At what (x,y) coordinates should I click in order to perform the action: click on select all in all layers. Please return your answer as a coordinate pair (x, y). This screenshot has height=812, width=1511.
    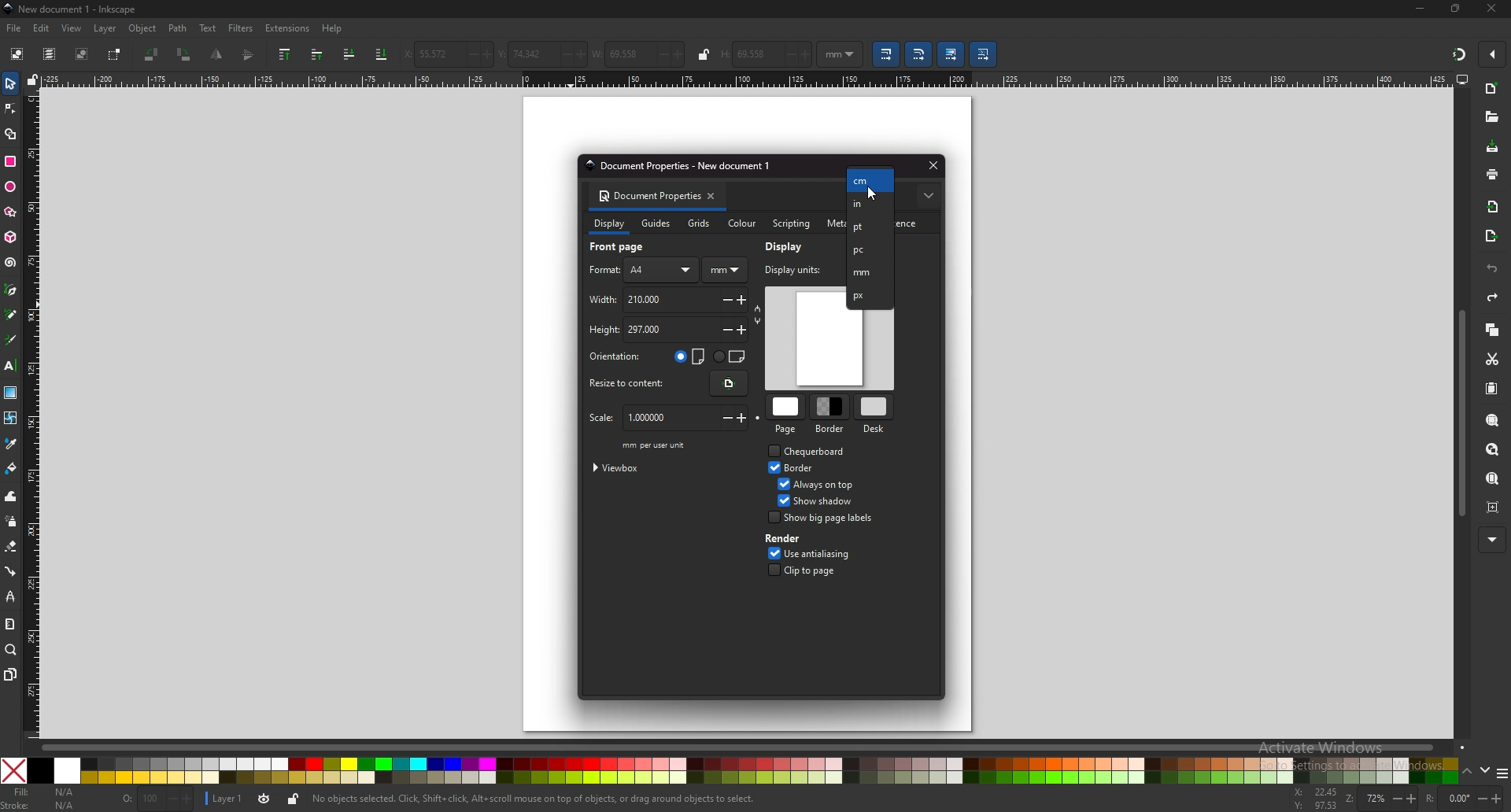
    Looking at the image, I should click on (49, 54).